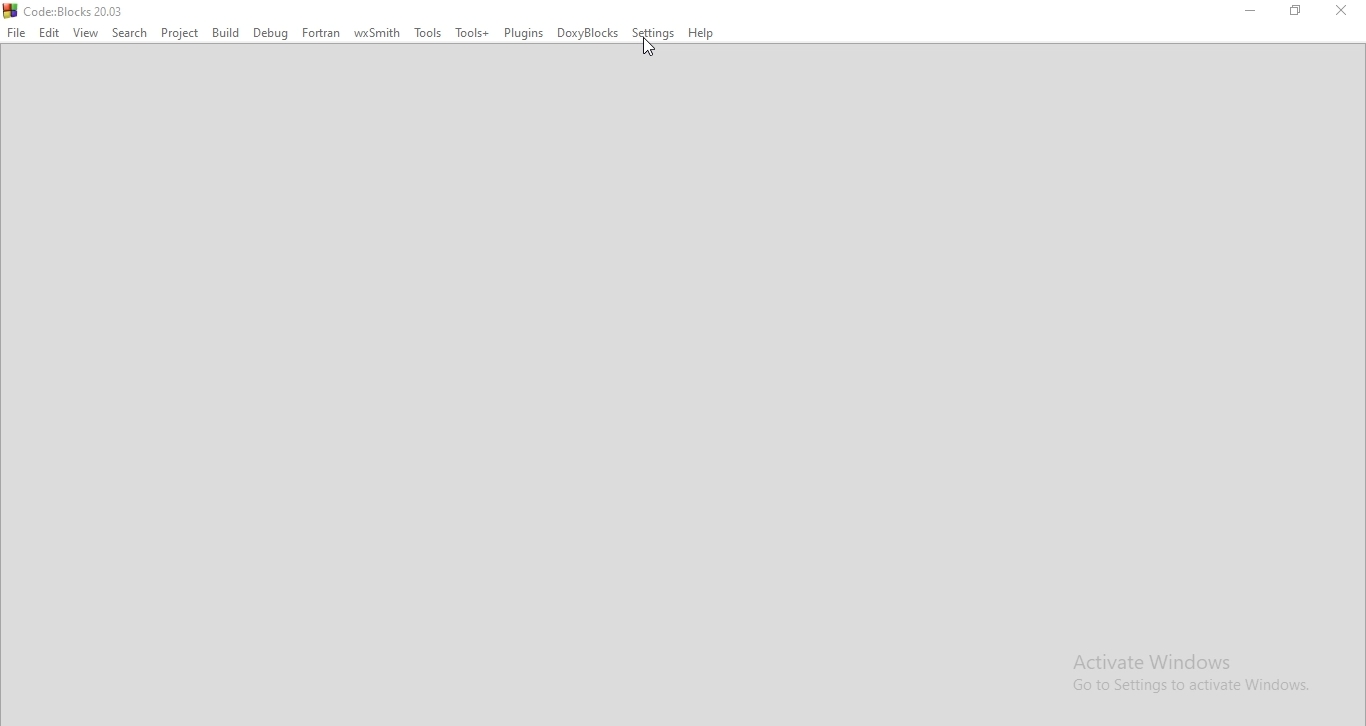 This screenshot has height=726, width=1366. Describe the element at coordinates (86, 34) in the screenshot. I see `View` at that location.